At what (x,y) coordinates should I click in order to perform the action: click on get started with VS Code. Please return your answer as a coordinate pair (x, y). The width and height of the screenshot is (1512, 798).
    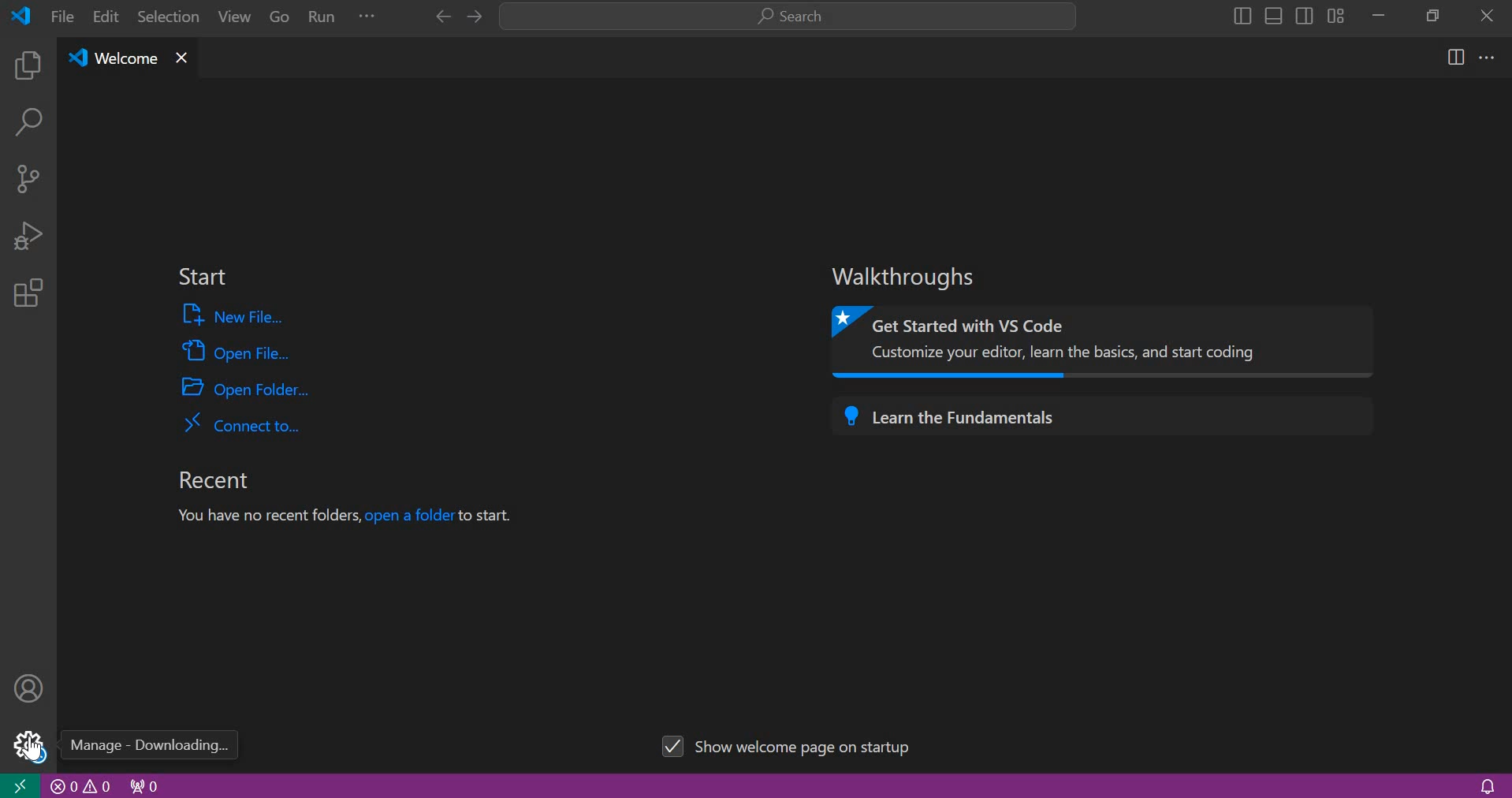
    Looking at the image, I should click on (1107, 342).